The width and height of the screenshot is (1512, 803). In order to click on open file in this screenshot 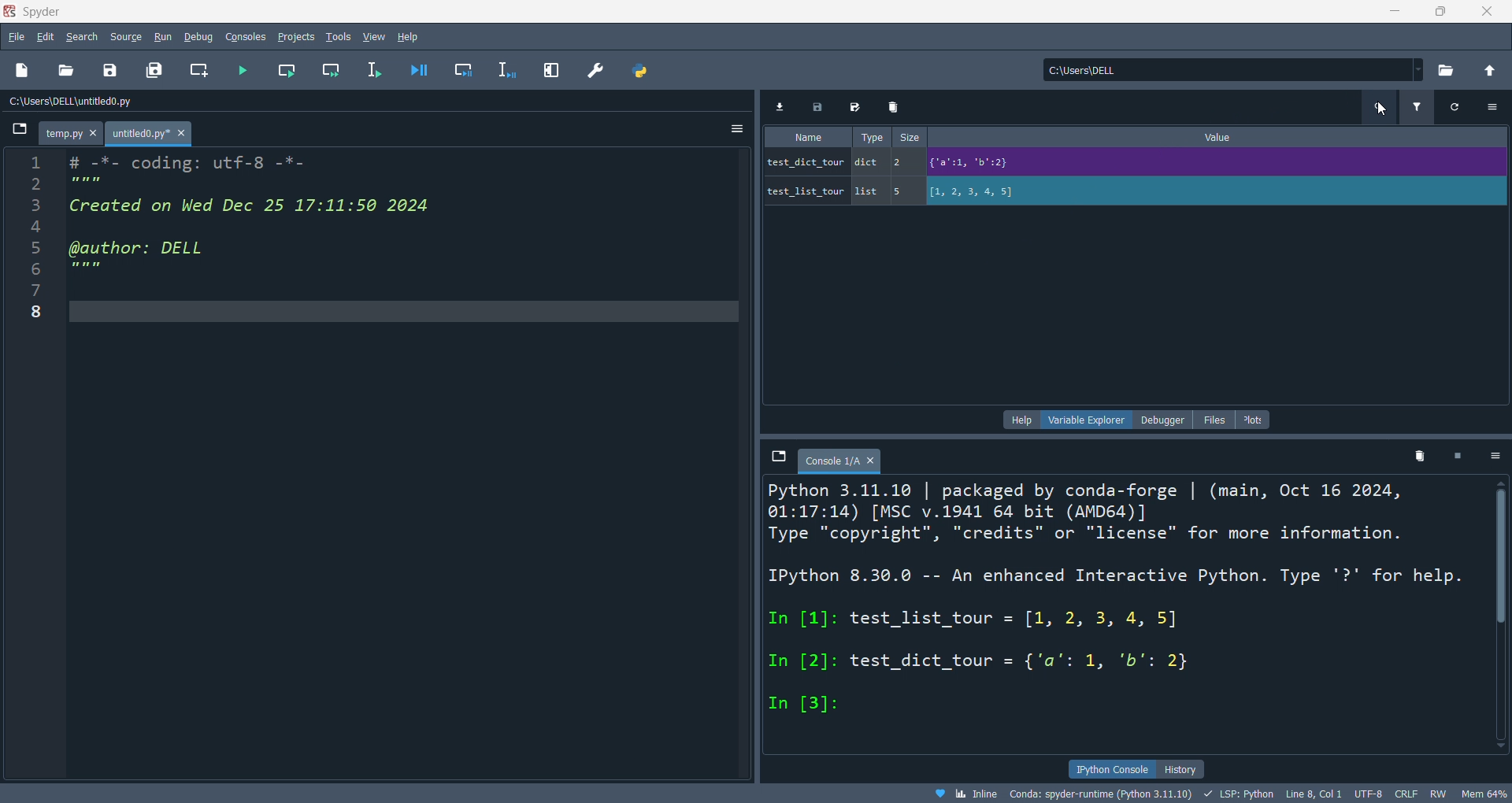, I will do `click(24, 71)`.